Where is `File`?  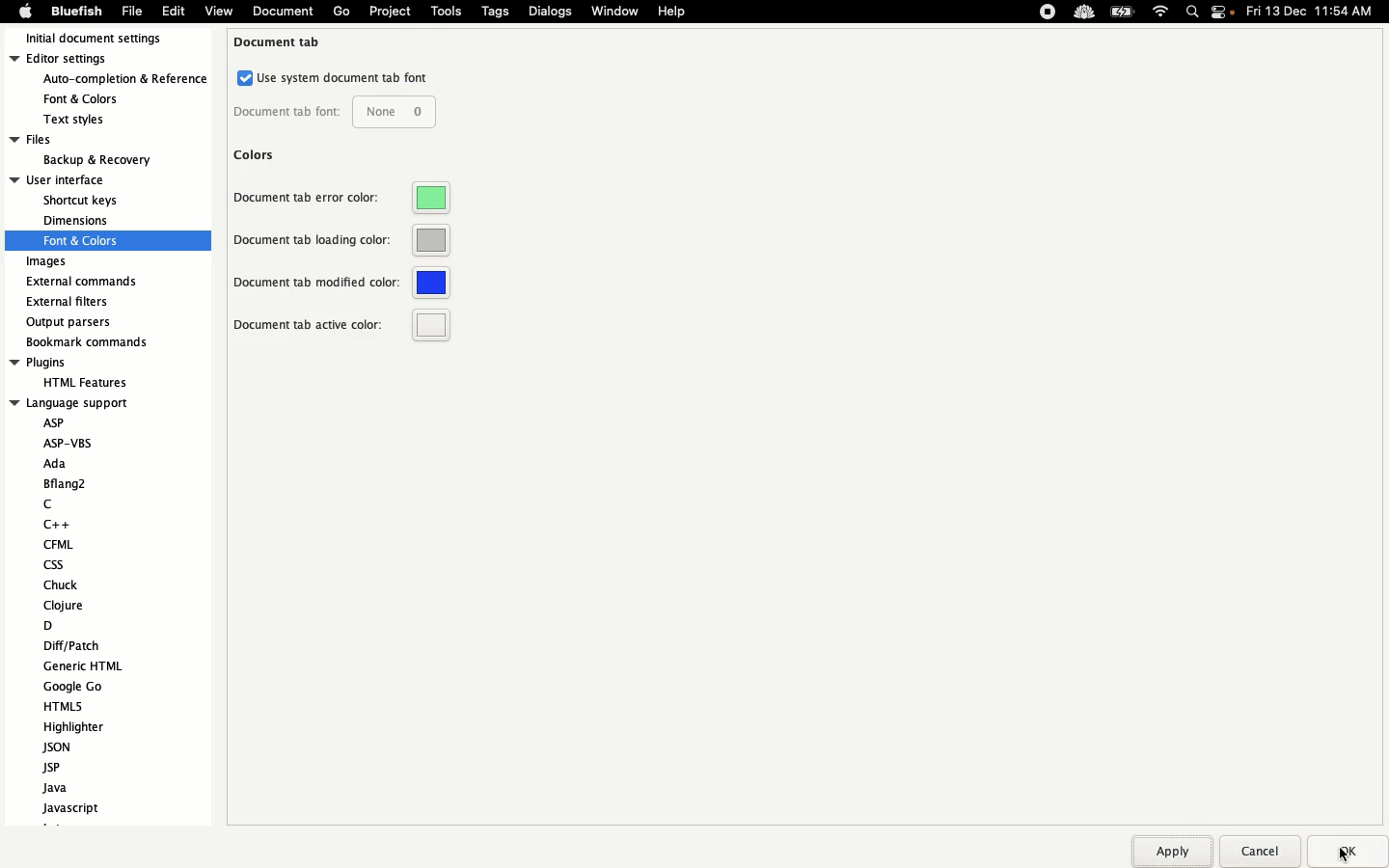
File is located at coordinates (132, 11).